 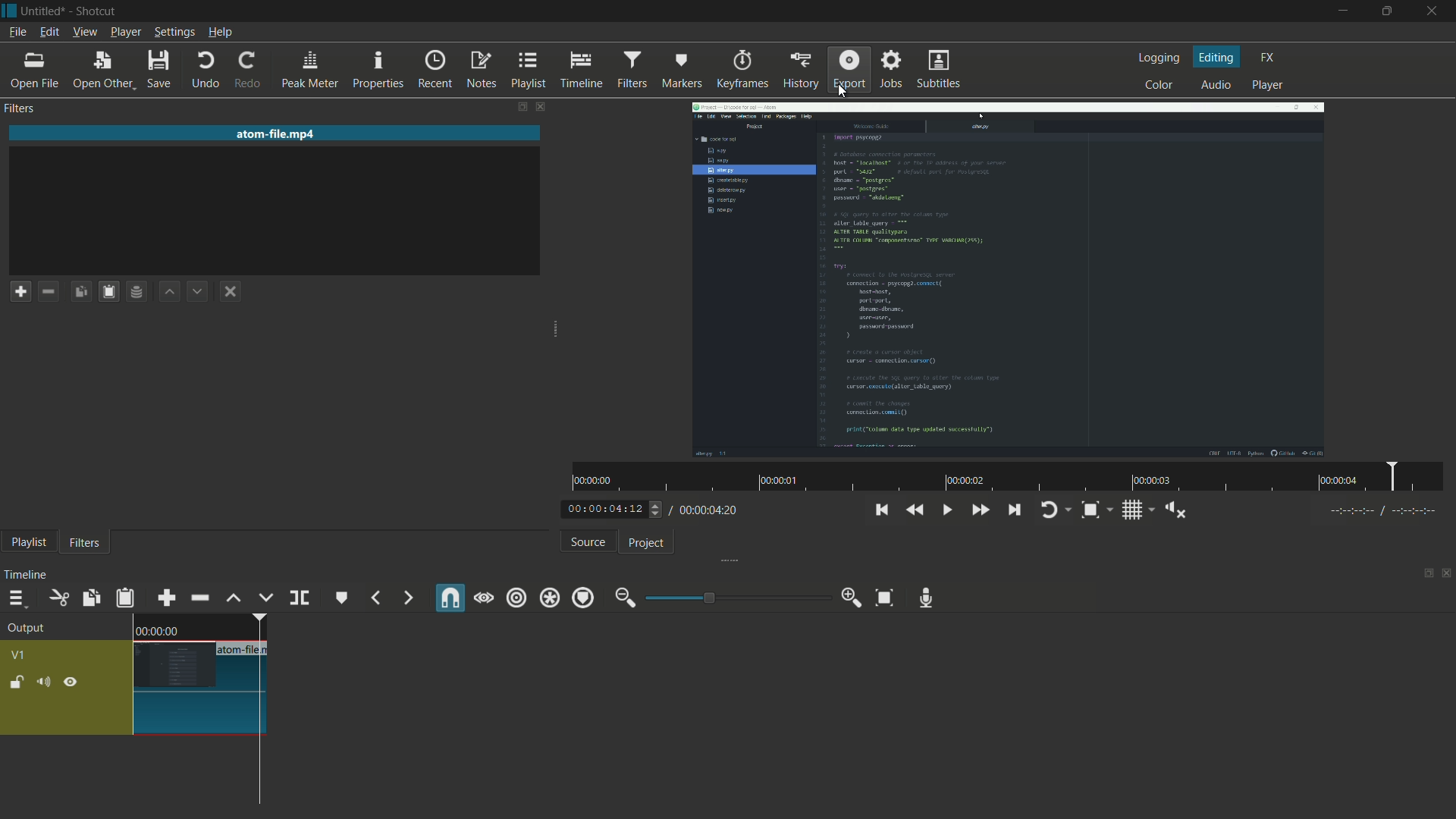 What do you see at coordinates (409, 598) in the screenshot?
I see `next marker` at bounding box center [409, 598].